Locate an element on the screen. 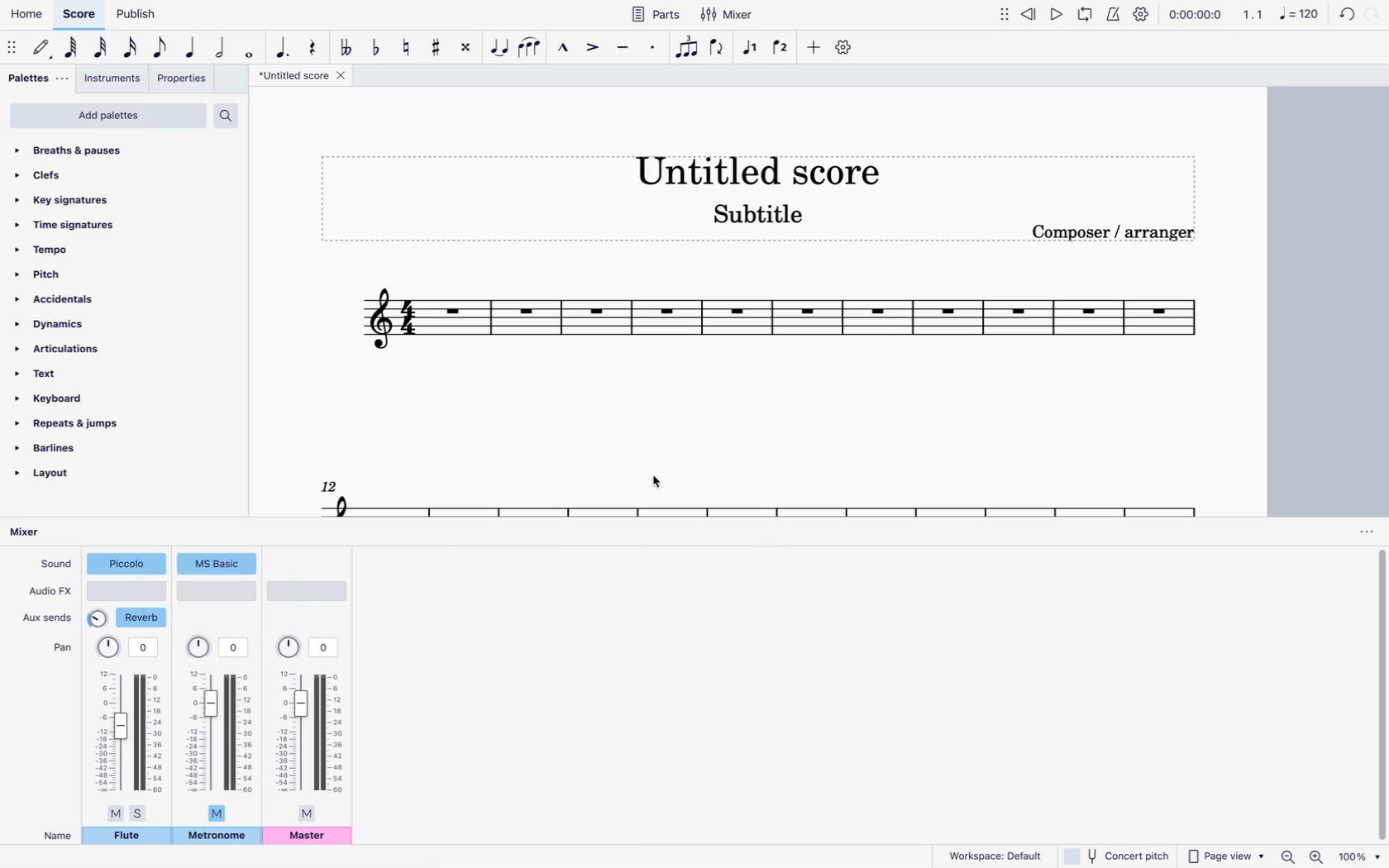 The image size is (1389, 868). key signatures is located at coordinates (65, 199).